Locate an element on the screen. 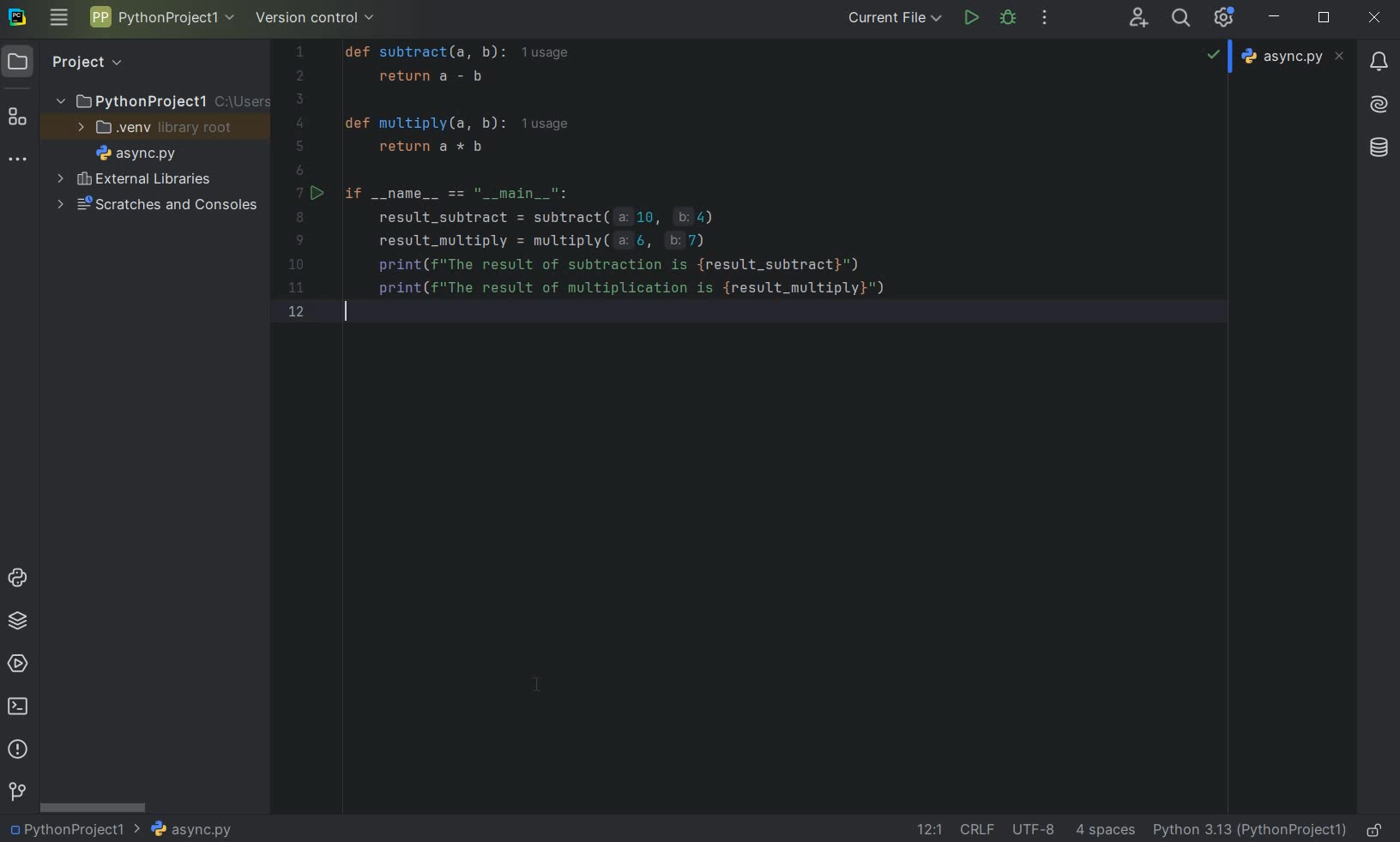 The image size is (1400, 842). problems is located at coordinates (17, 748).